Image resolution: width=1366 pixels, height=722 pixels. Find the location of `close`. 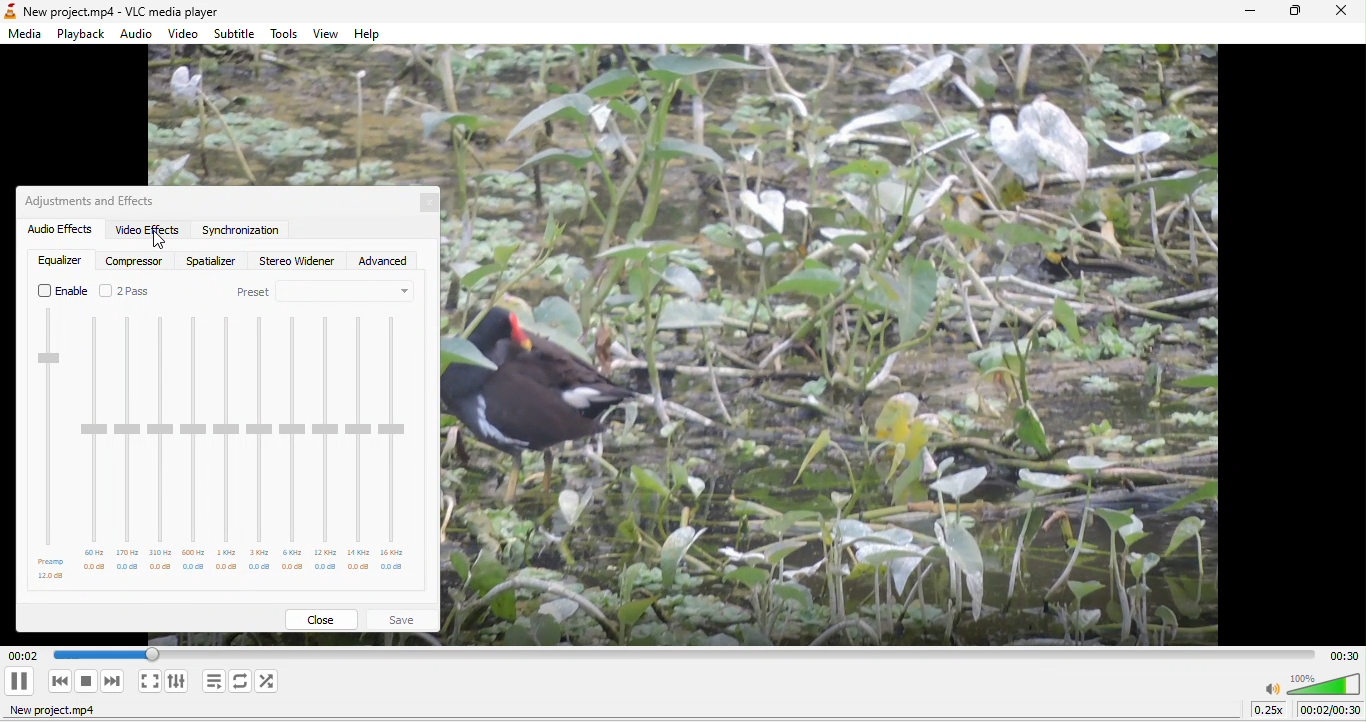

close is located at coordinates (1339, 13).